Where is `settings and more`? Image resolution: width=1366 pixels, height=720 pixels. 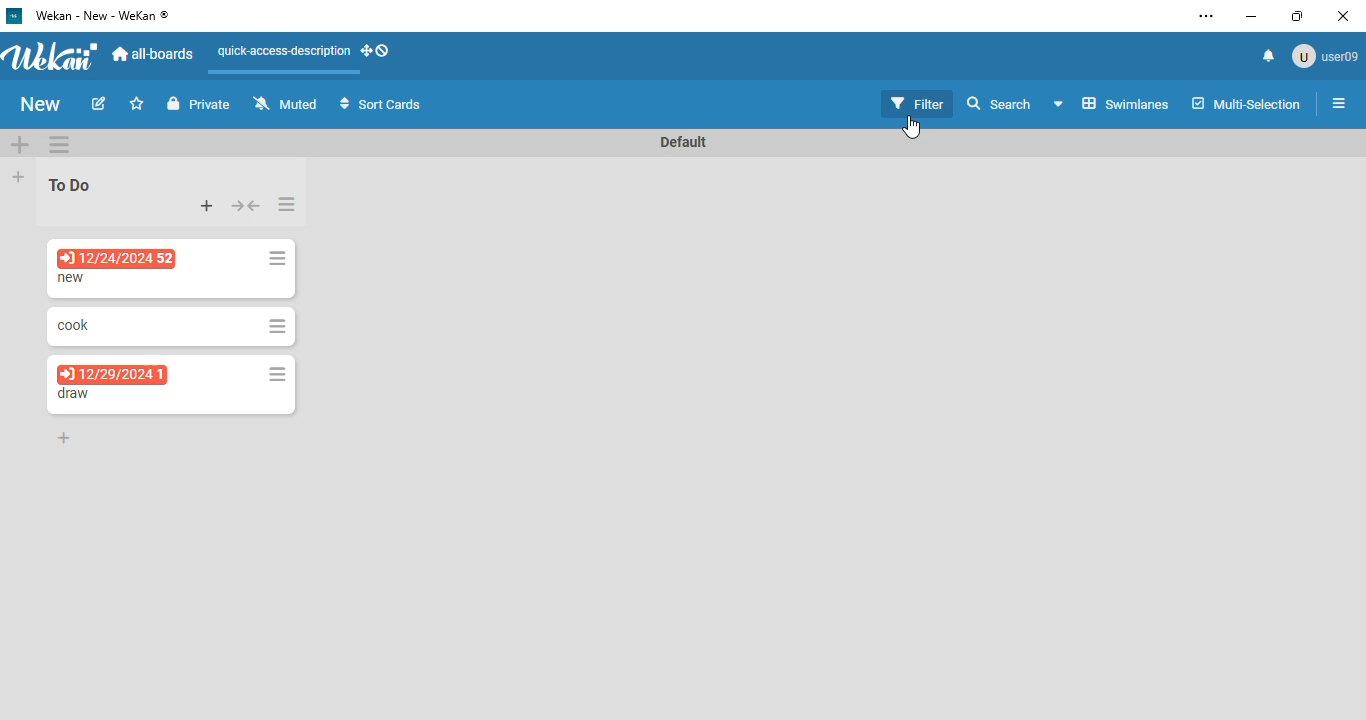 settings and more is located at coordinates (1211, 16).